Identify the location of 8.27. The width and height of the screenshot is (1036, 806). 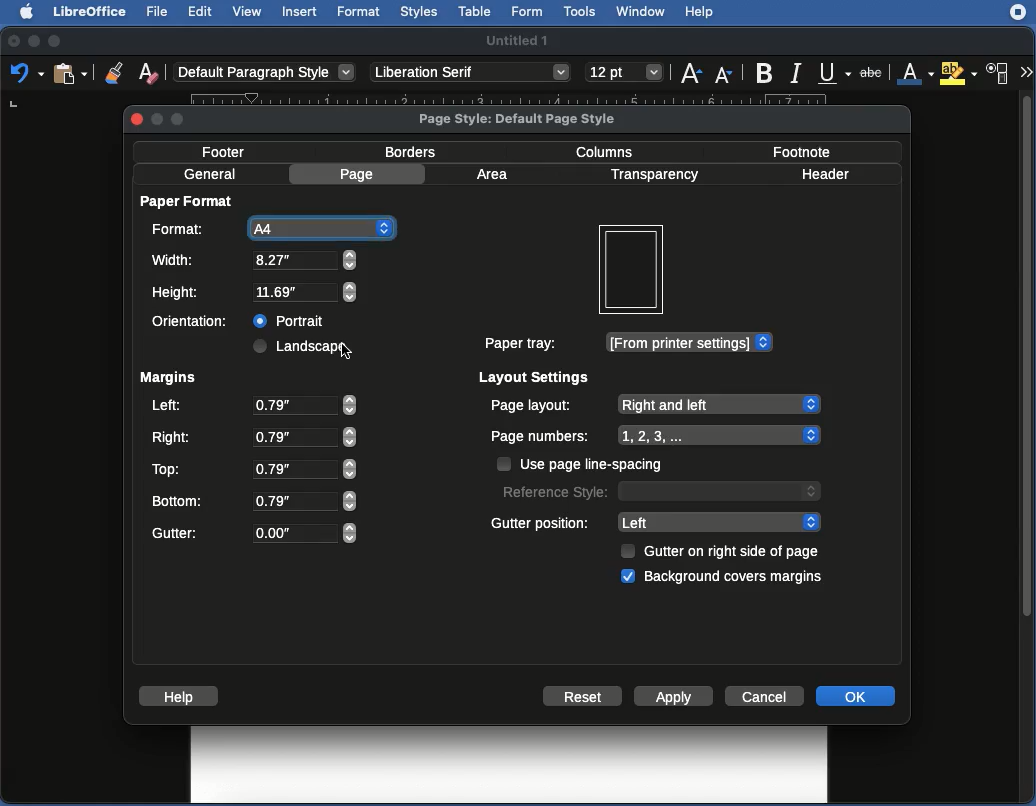
(308, 260).